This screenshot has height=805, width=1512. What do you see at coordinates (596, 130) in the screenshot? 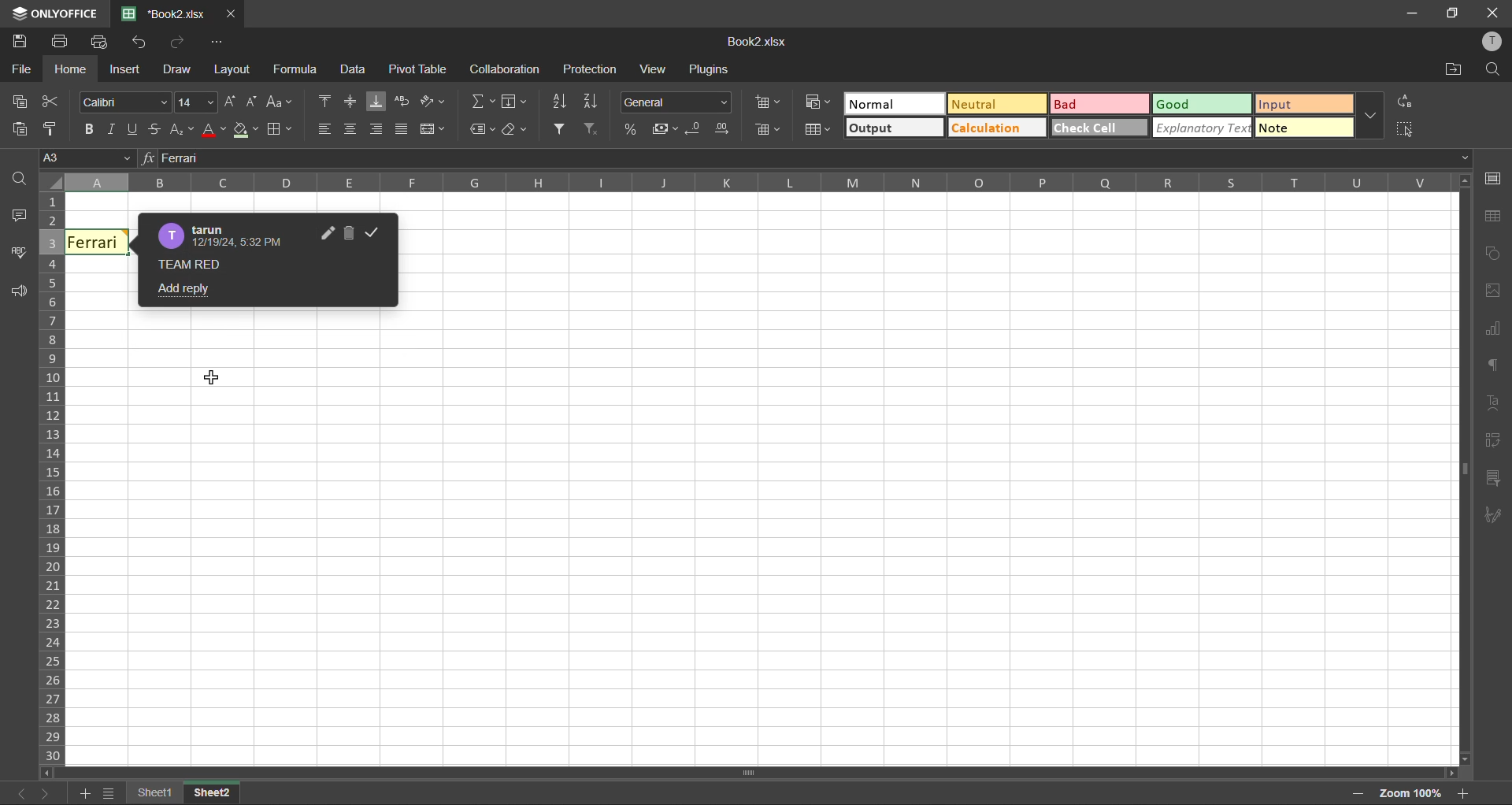
I see `clear filter` at bounding box center [596, 130].